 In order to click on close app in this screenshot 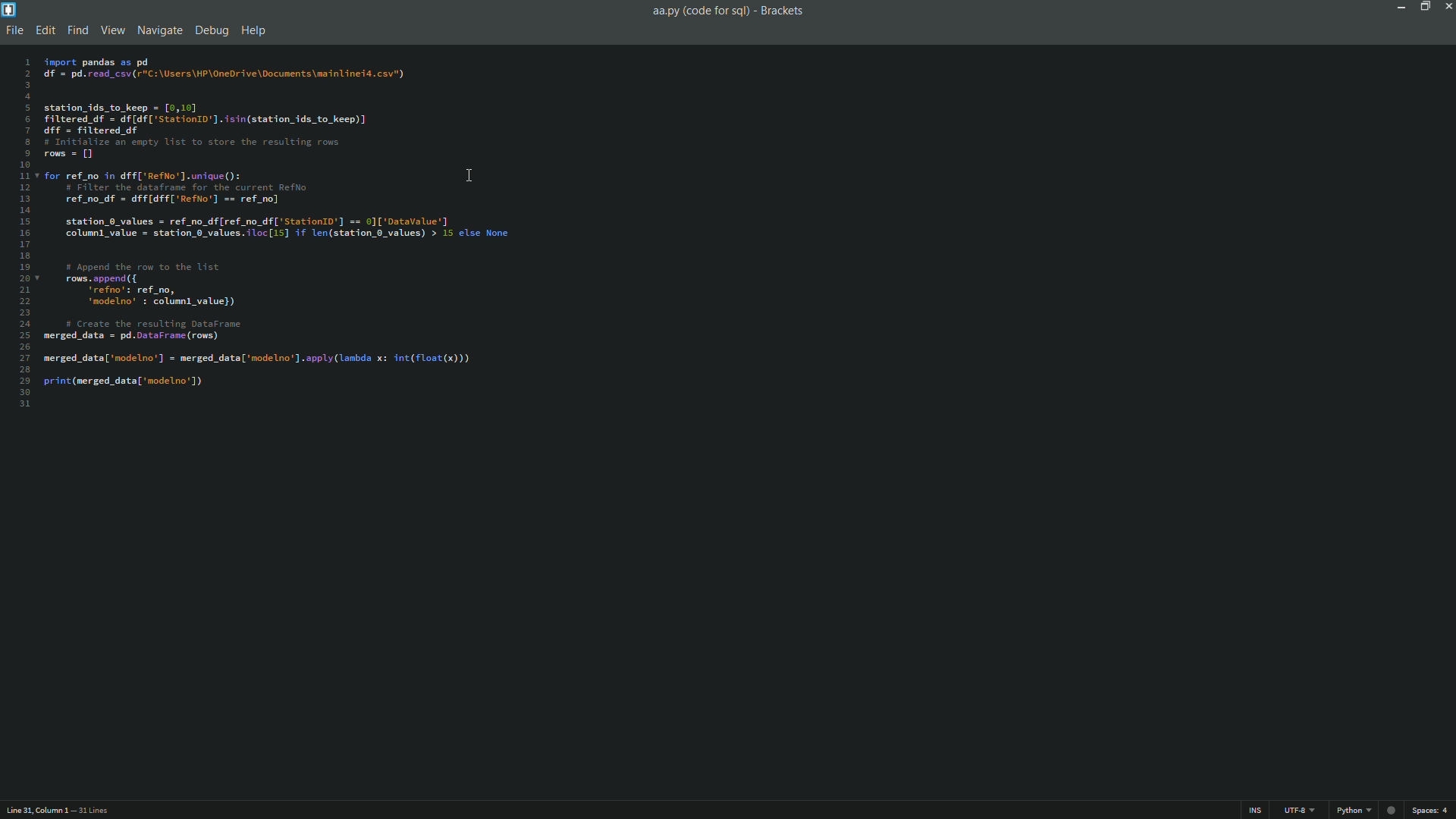, I will do `click(1447, 7)`.